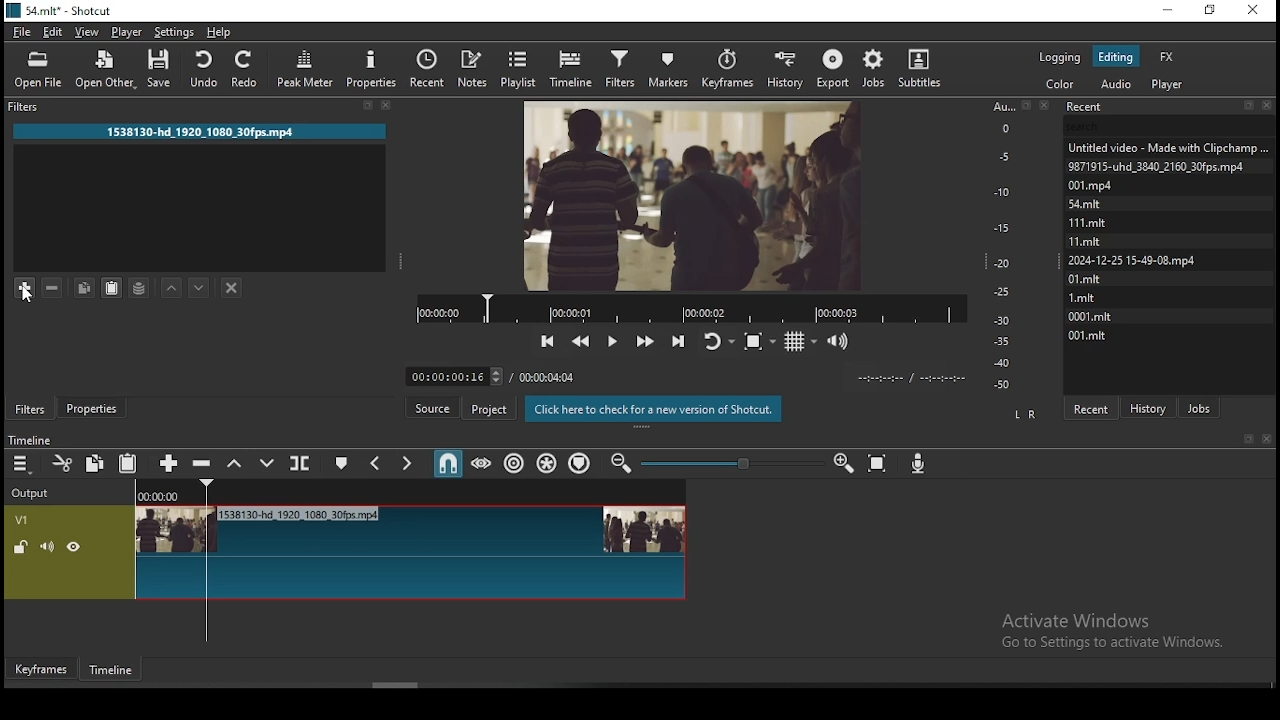  What do you see at coordinates (22, 466) in the screenshot?
I see `timeline menu` at bounding box center [22, 466].